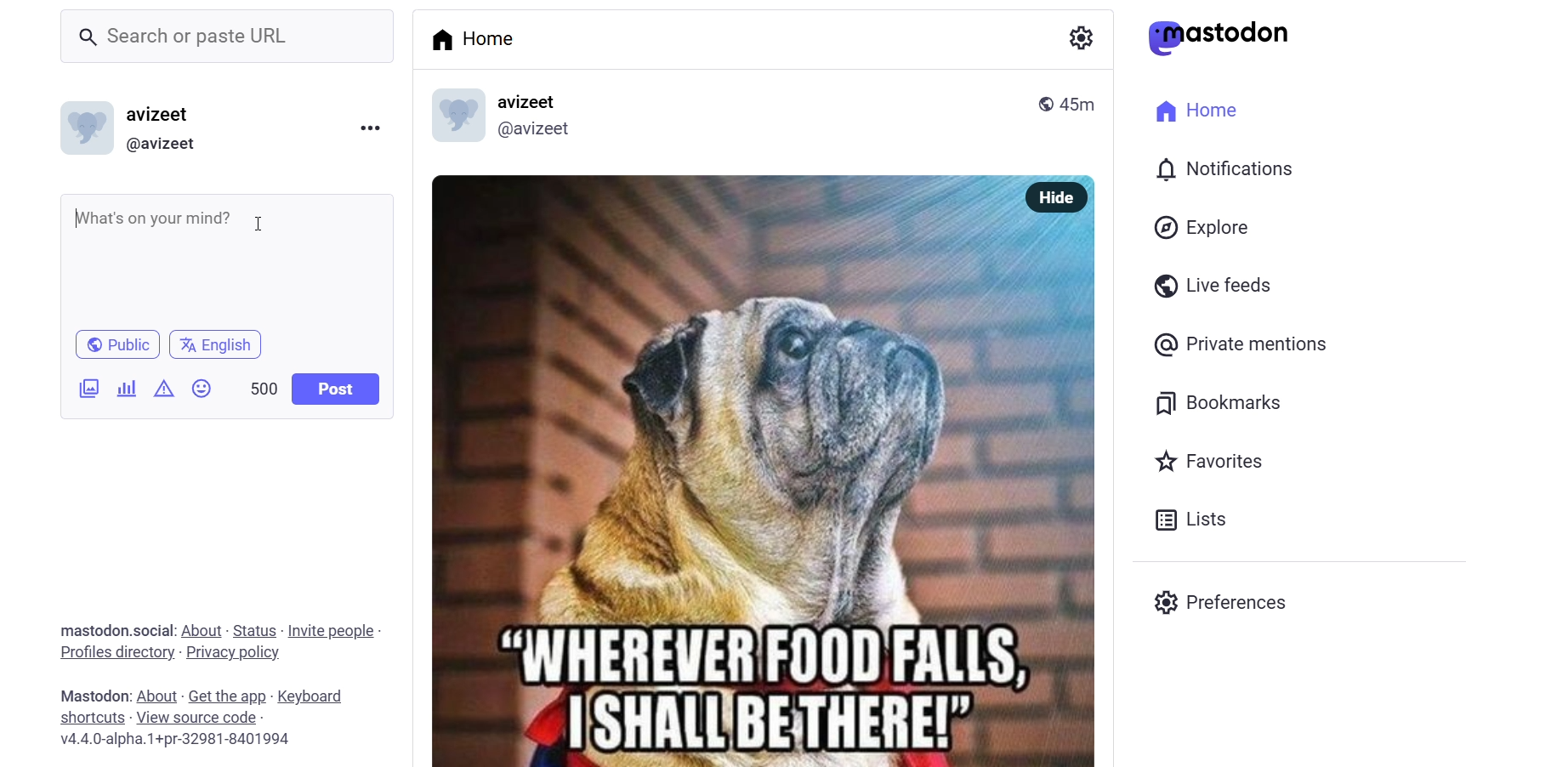  What do you see at coordinates (203, 35) in the screenshot?
I see `_ Search or paste URL` at bounding box center [203, 35].